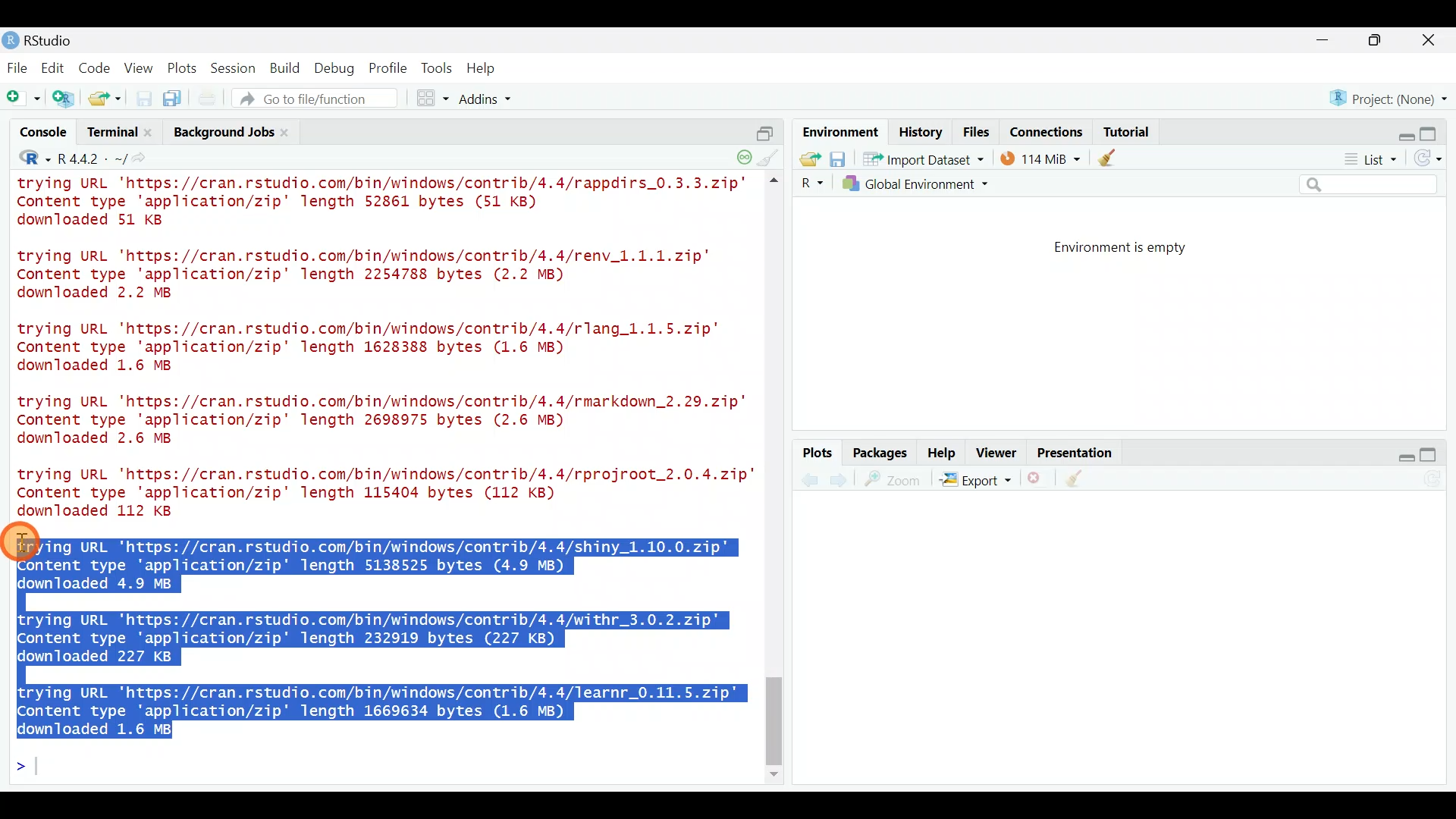 The width and height of the screenshot is (1456, 819). Describe the element at coordinates (1433, 160) in the screenshot. I see `Refresh list of objects in the environment` at that location.